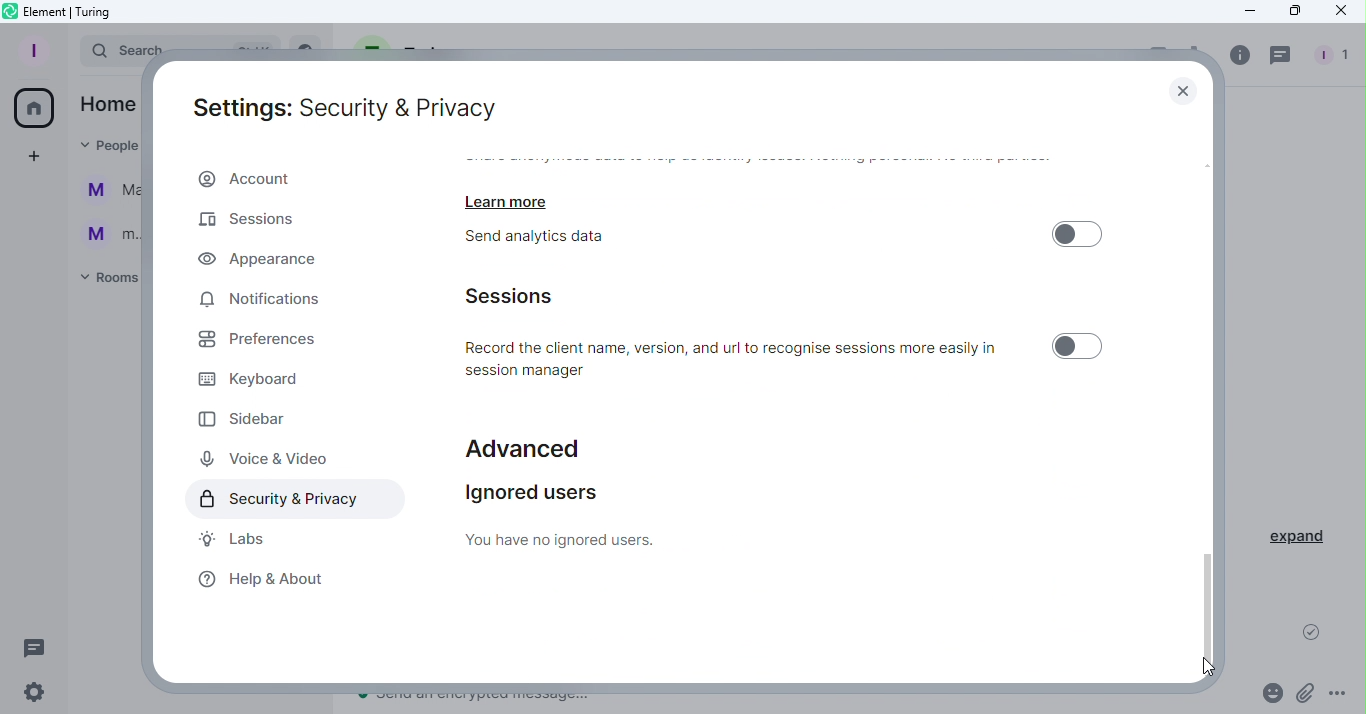 This screenshot has width=1366, height=714. Describe the element at coordinates (105, 233) in the screenshot. I see `m...@t...` at that location.